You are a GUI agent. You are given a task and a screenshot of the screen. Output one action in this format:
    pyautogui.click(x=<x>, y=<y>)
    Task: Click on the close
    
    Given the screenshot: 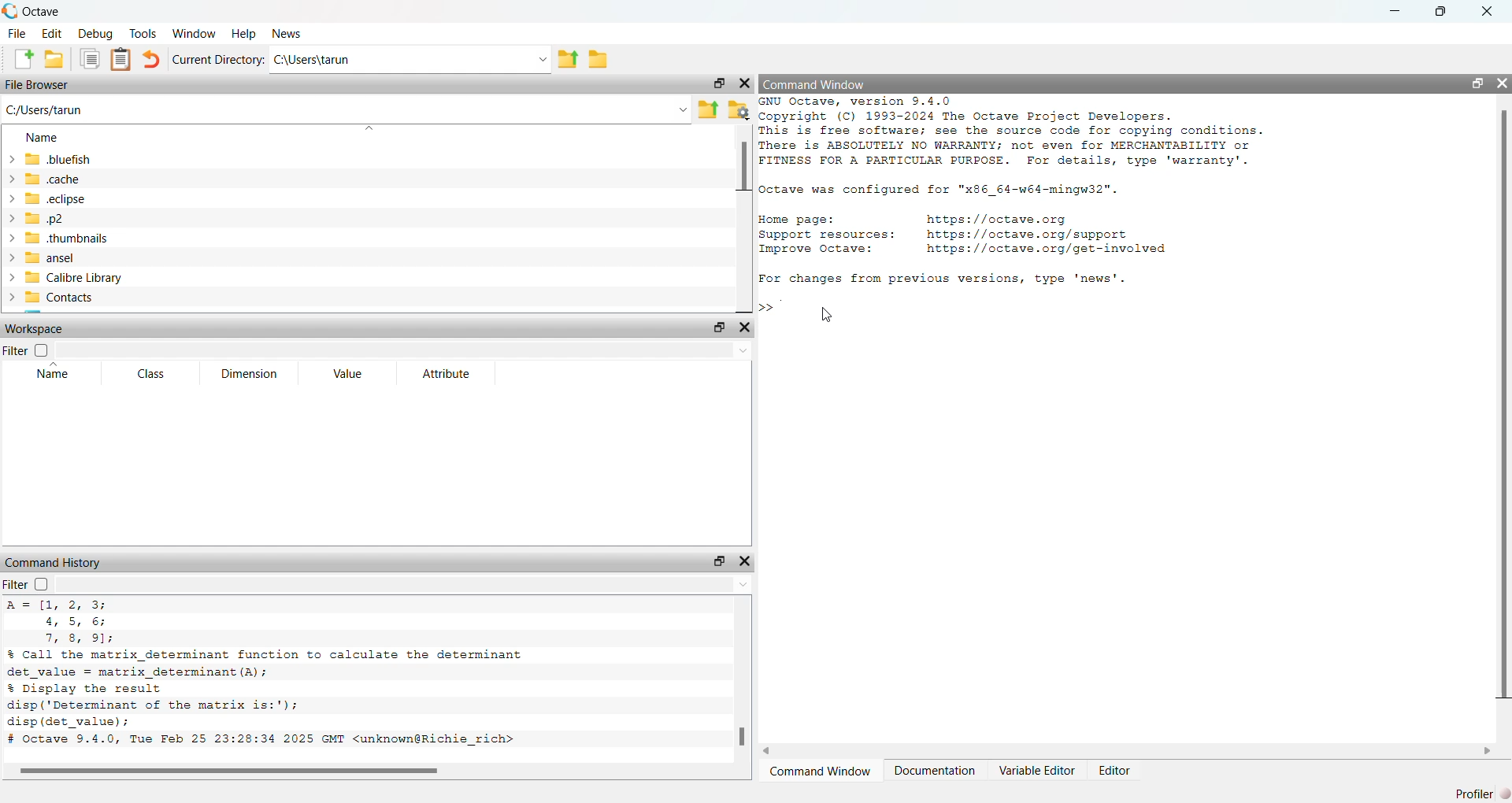 What is the action you would take?
    pyautogui.click(x=1501, y=84)
    